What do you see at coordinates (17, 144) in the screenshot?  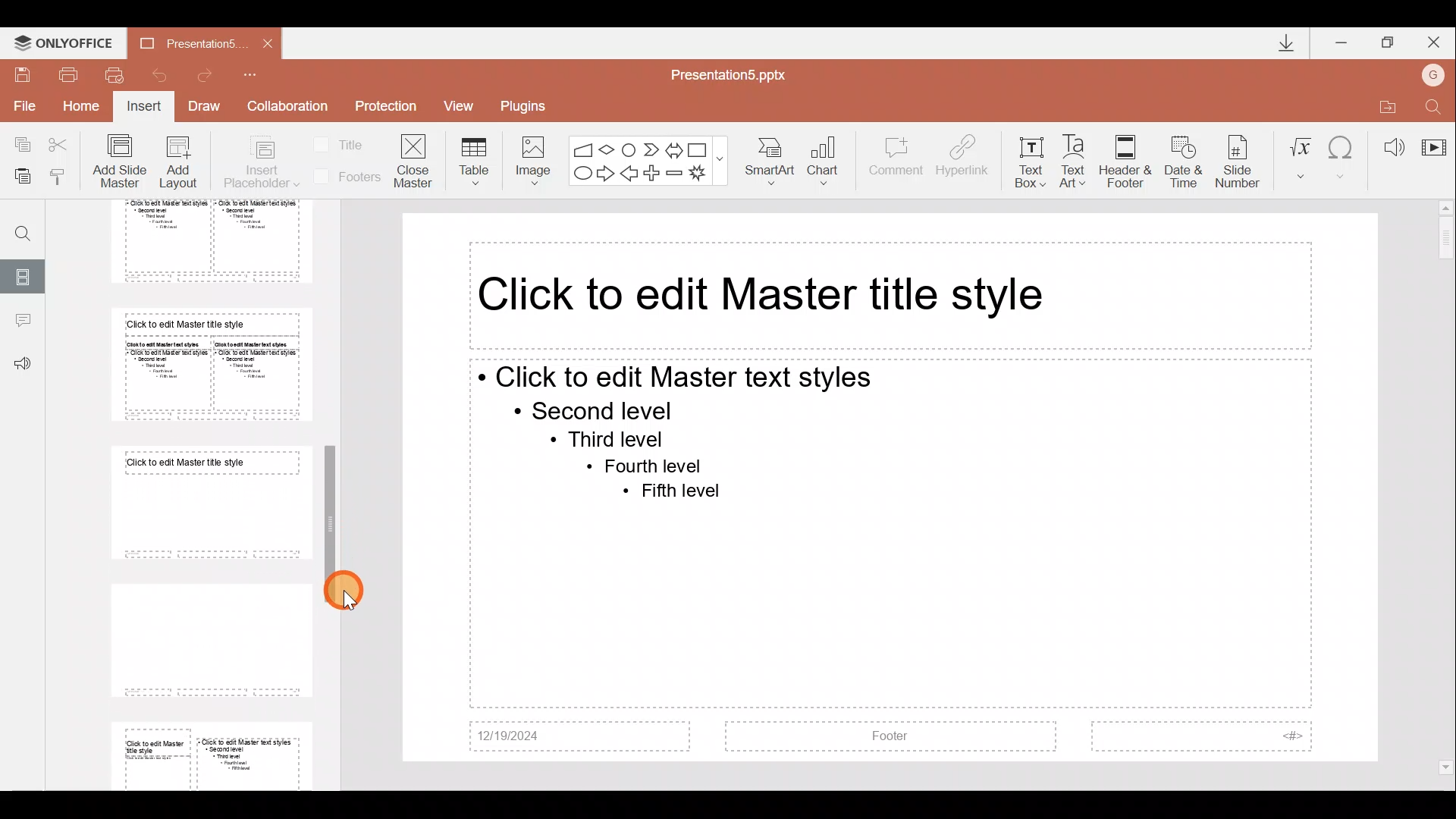 I see `Copy` at bounding box center [17, 144].